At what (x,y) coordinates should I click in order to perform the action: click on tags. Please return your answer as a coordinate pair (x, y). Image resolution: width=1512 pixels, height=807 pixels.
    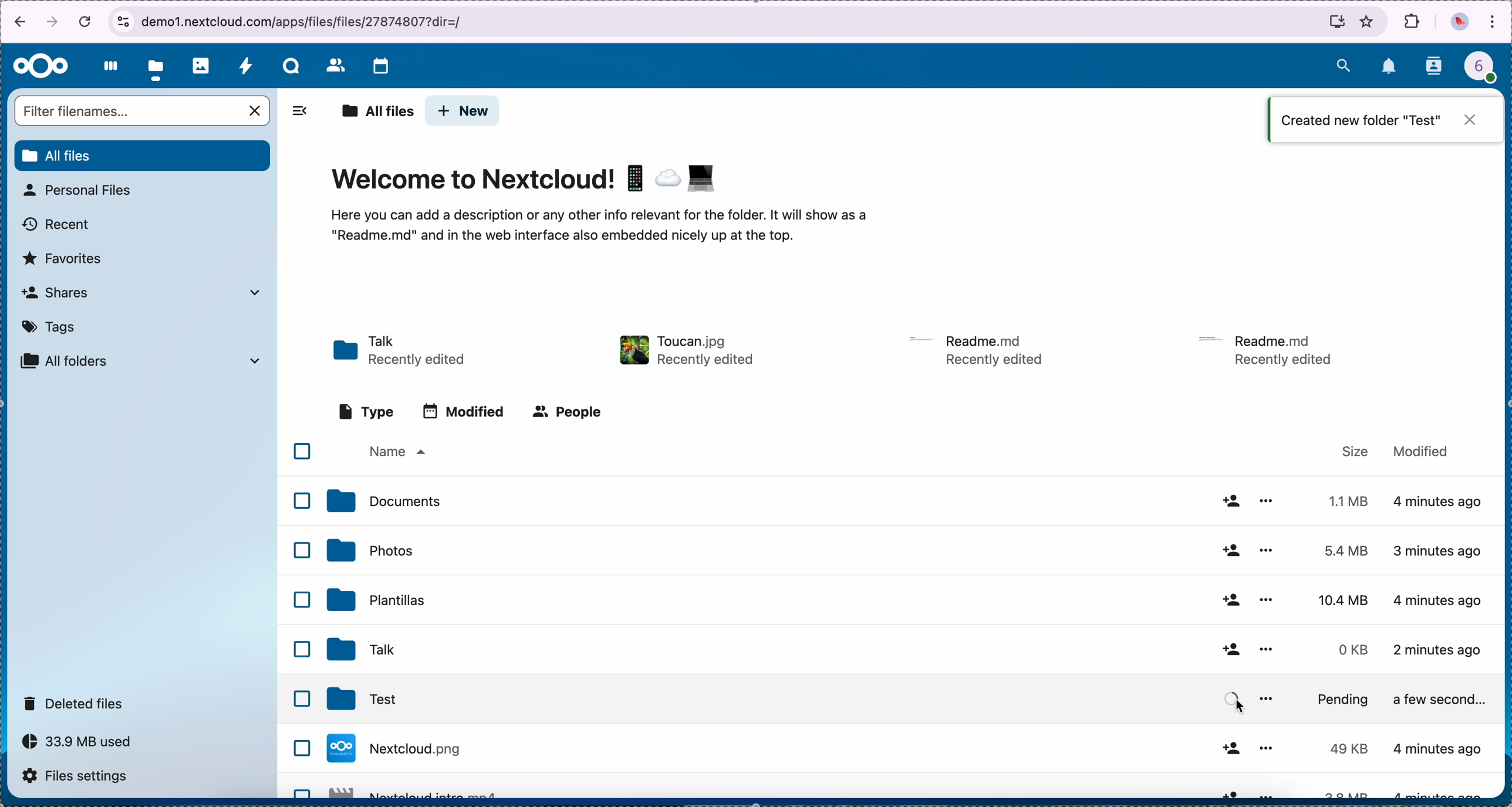
    Looking at the image, I should click on (50, 327).